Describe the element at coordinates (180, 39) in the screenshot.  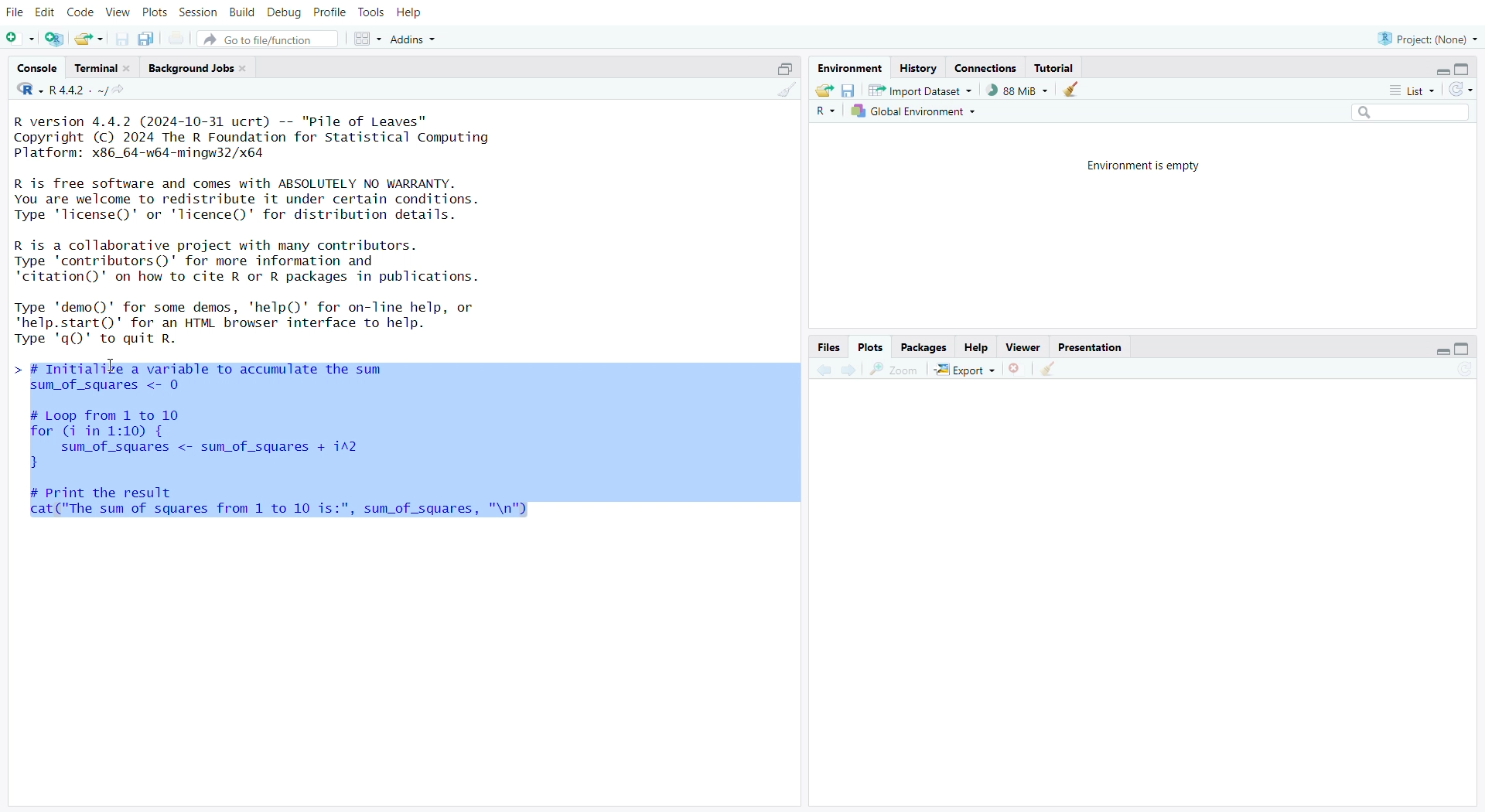
I see `print current file` at that location.